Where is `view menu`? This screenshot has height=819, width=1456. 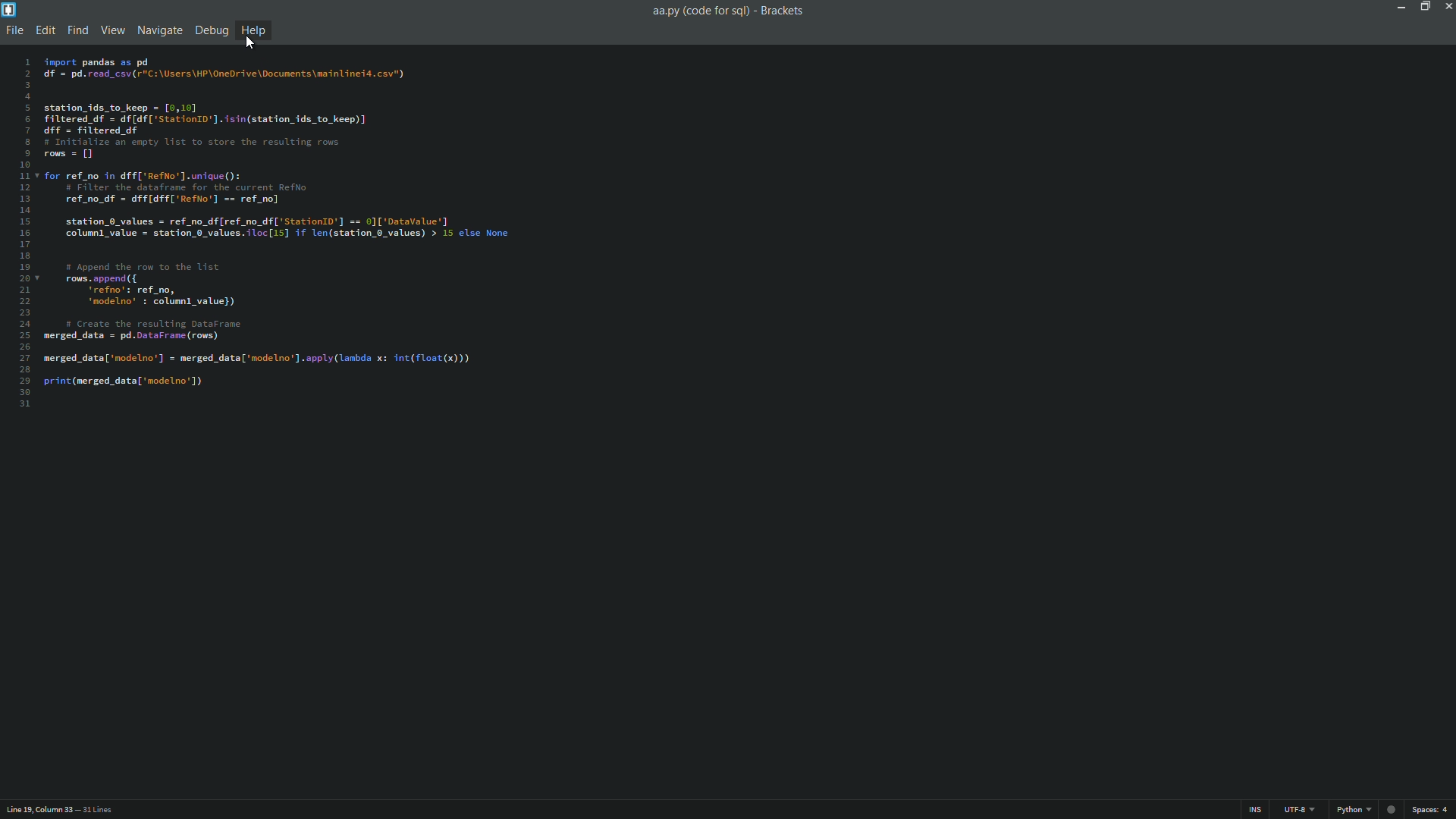 view menu is located at coordinates (113, 31).